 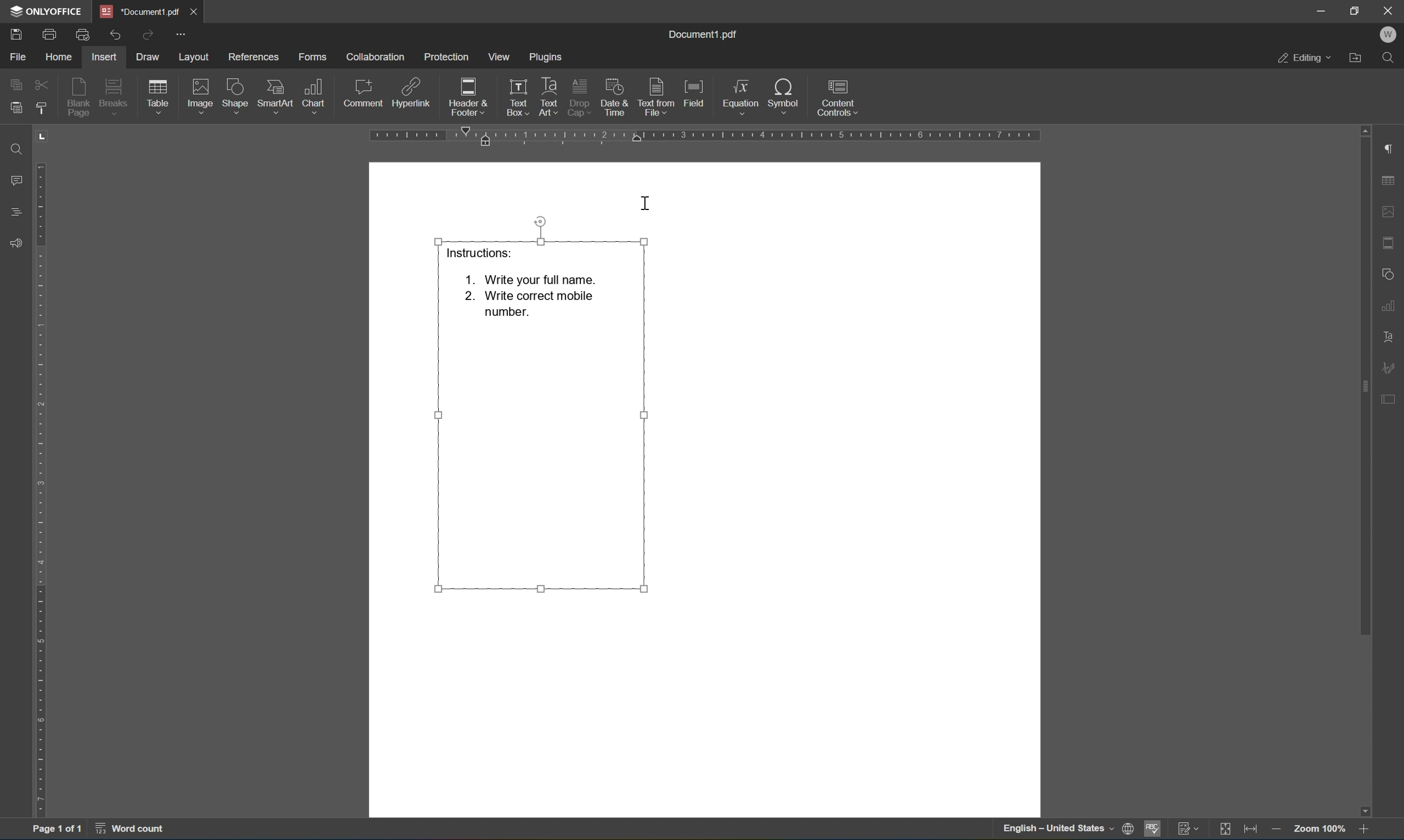 I want to click on equation, so click(x=741, y=97).